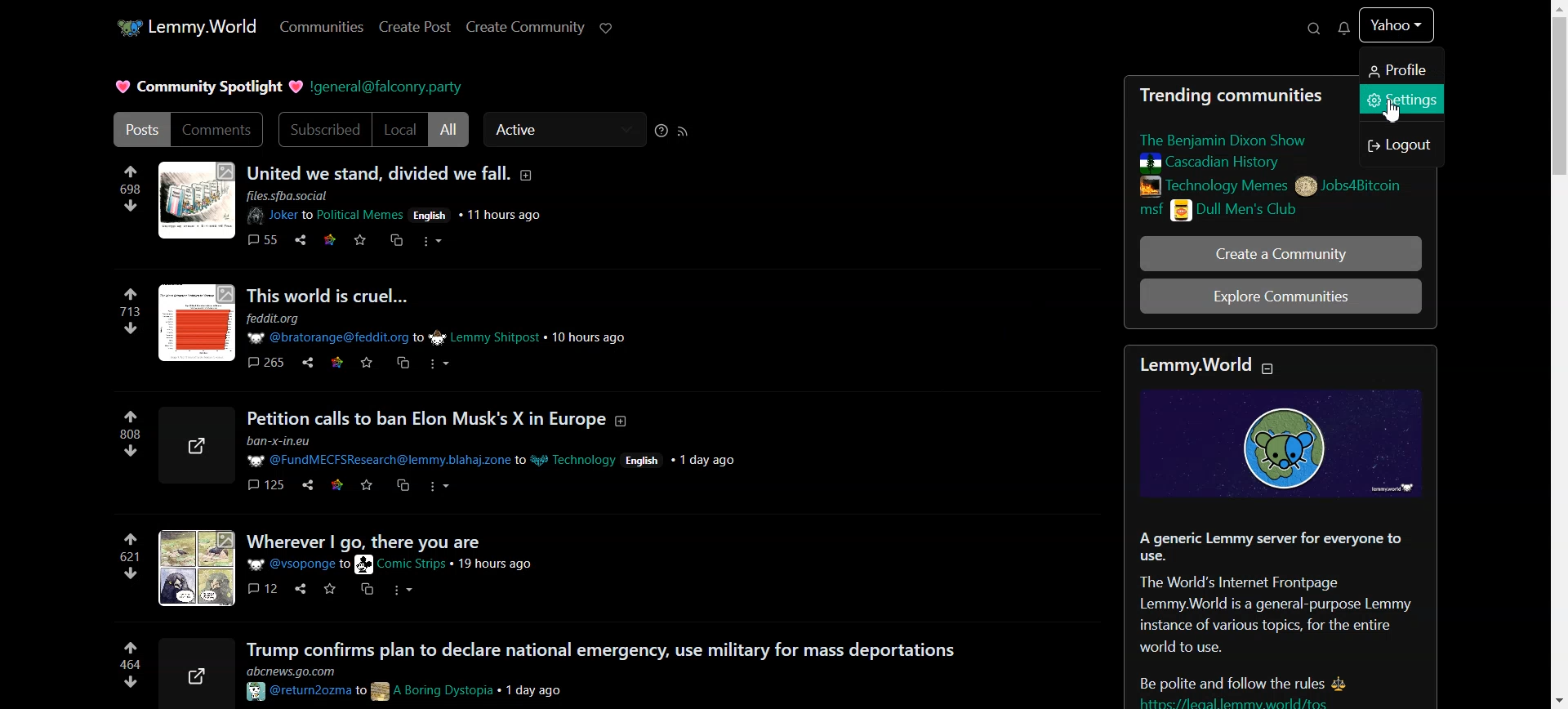  I want to click on united we stand, divided we fall, so click(374, 172).